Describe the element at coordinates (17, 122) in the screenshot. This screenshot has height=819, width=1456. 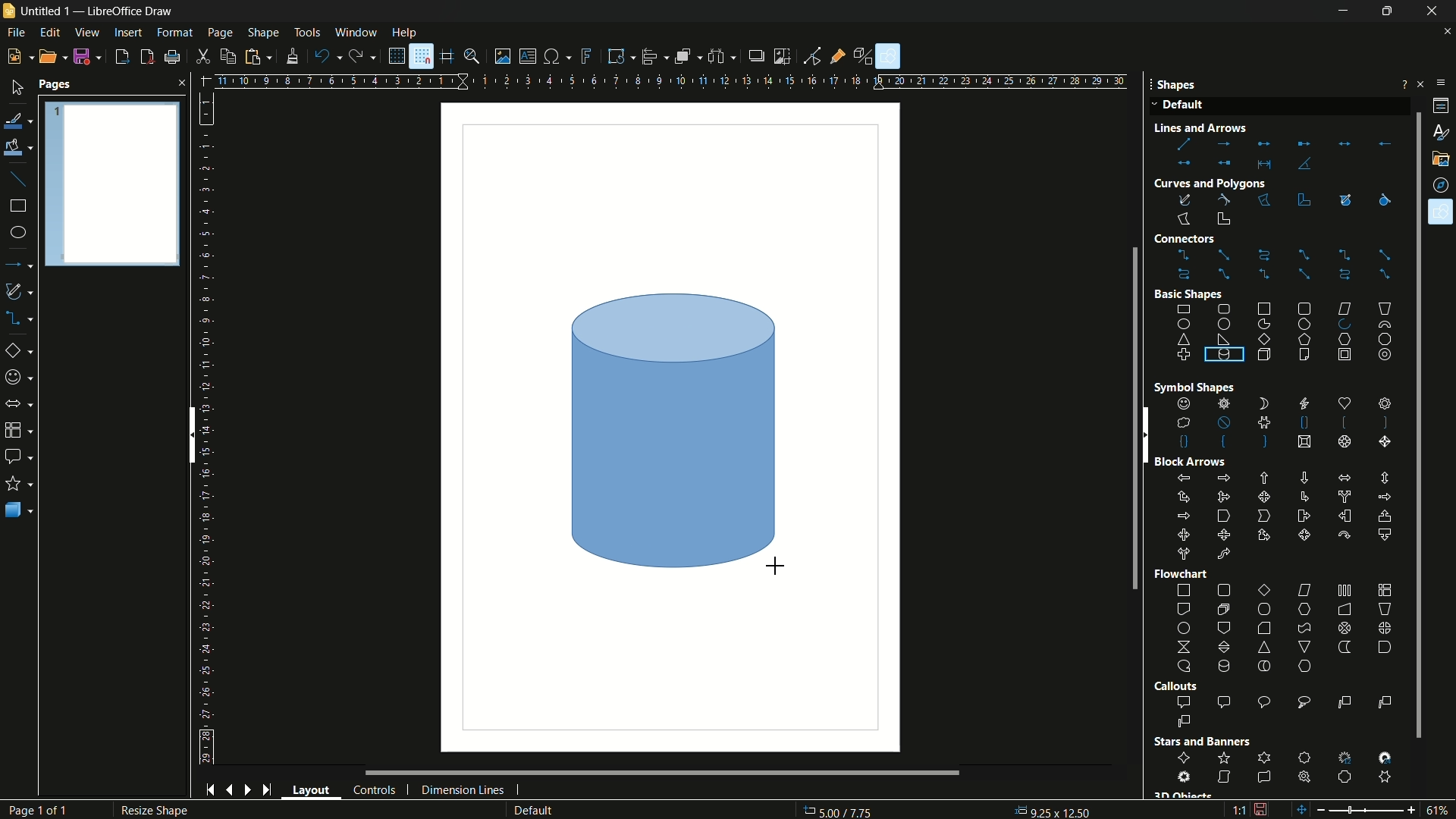
I see `line color` at that location.